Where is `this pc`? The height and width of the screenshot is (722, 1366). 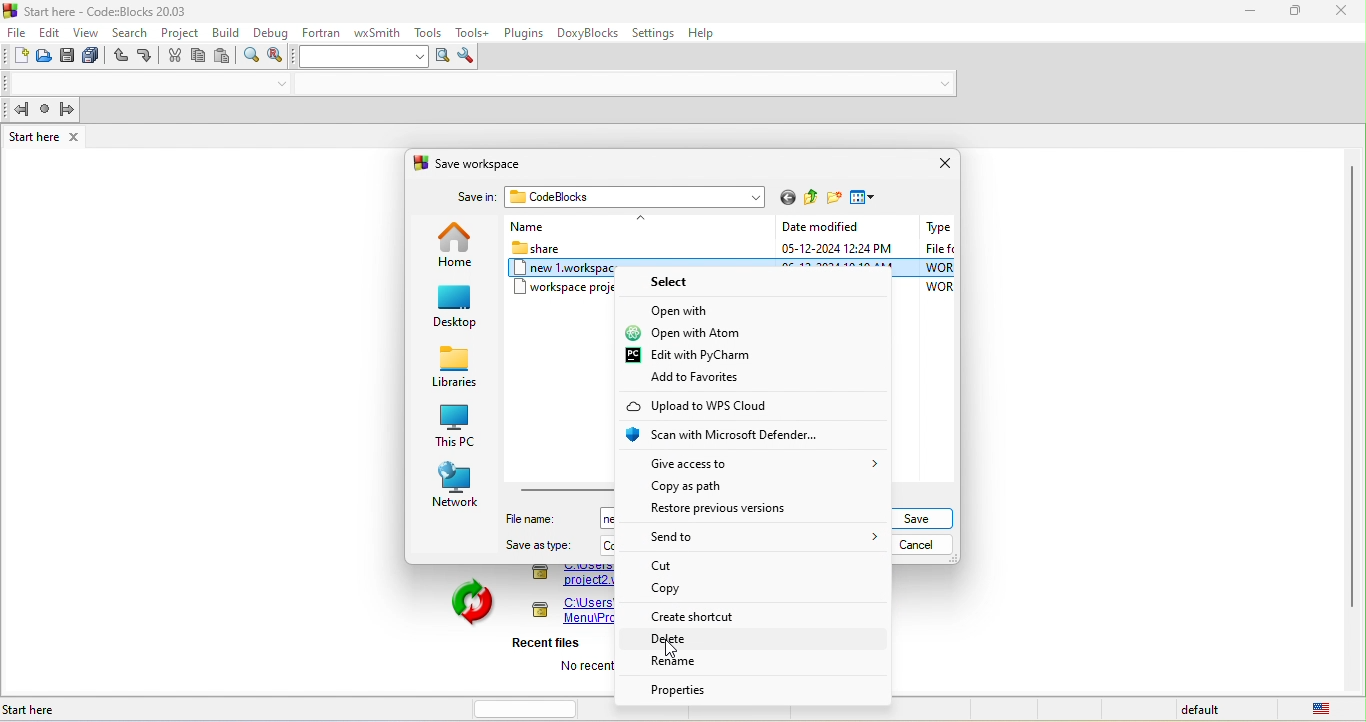 this pc is located at coordinates (453, 425).